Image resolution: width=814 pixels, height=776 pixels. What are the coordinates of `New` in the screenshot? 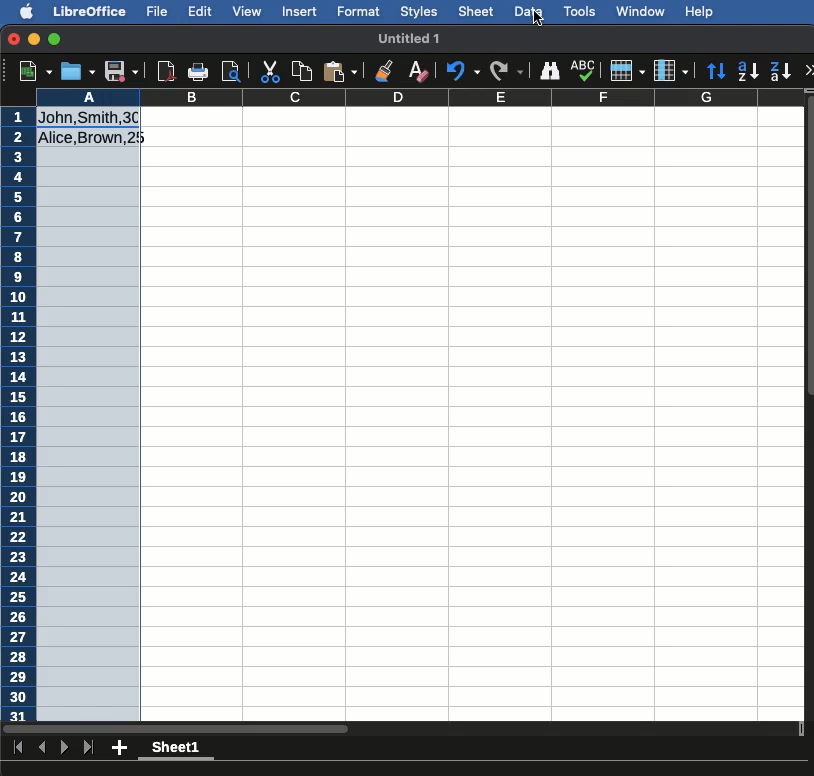 It's located at (35, 69).